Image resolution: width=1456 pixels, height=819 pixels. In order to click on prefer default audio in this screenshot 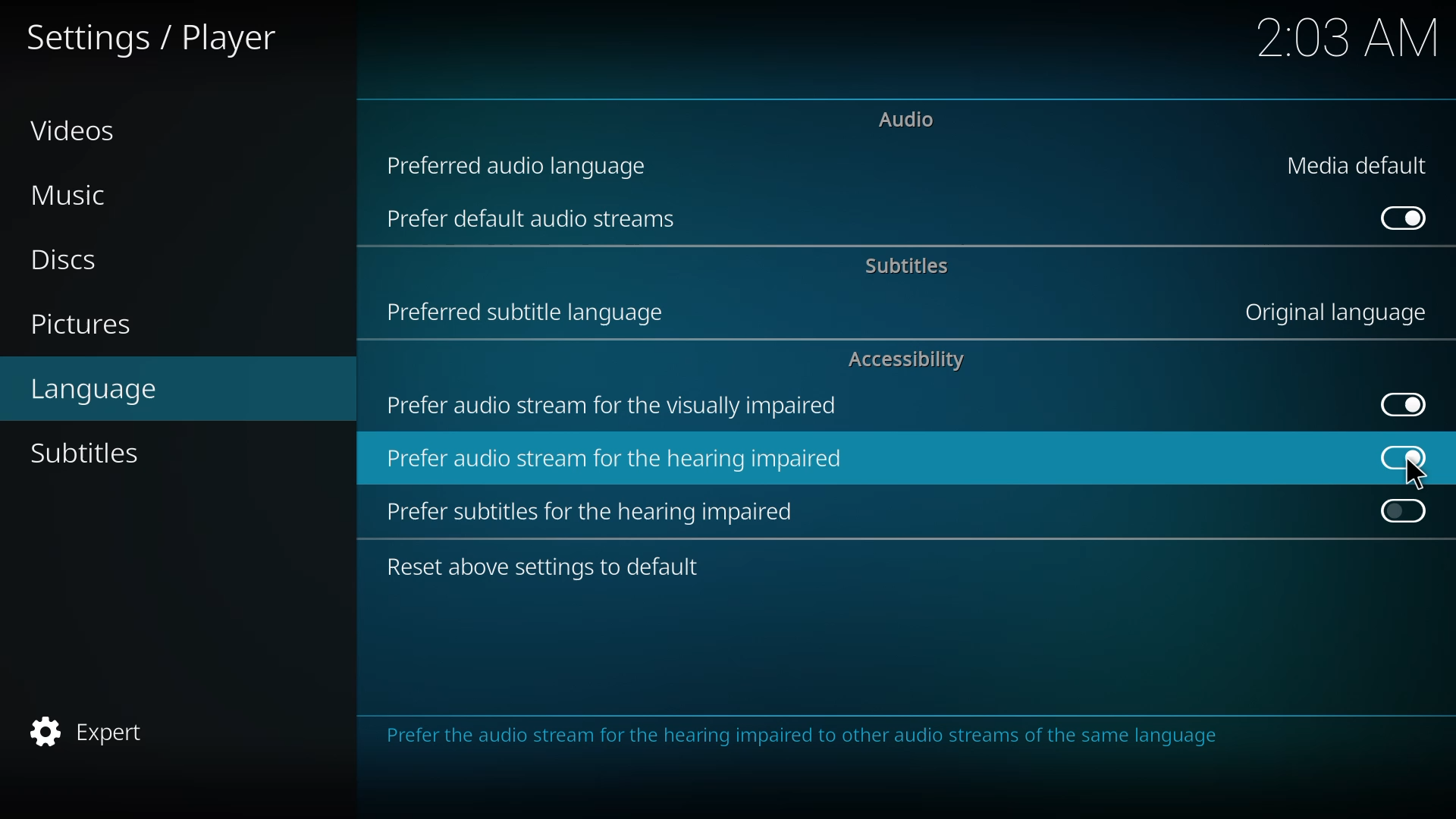, I will do `click(529, 218)`.